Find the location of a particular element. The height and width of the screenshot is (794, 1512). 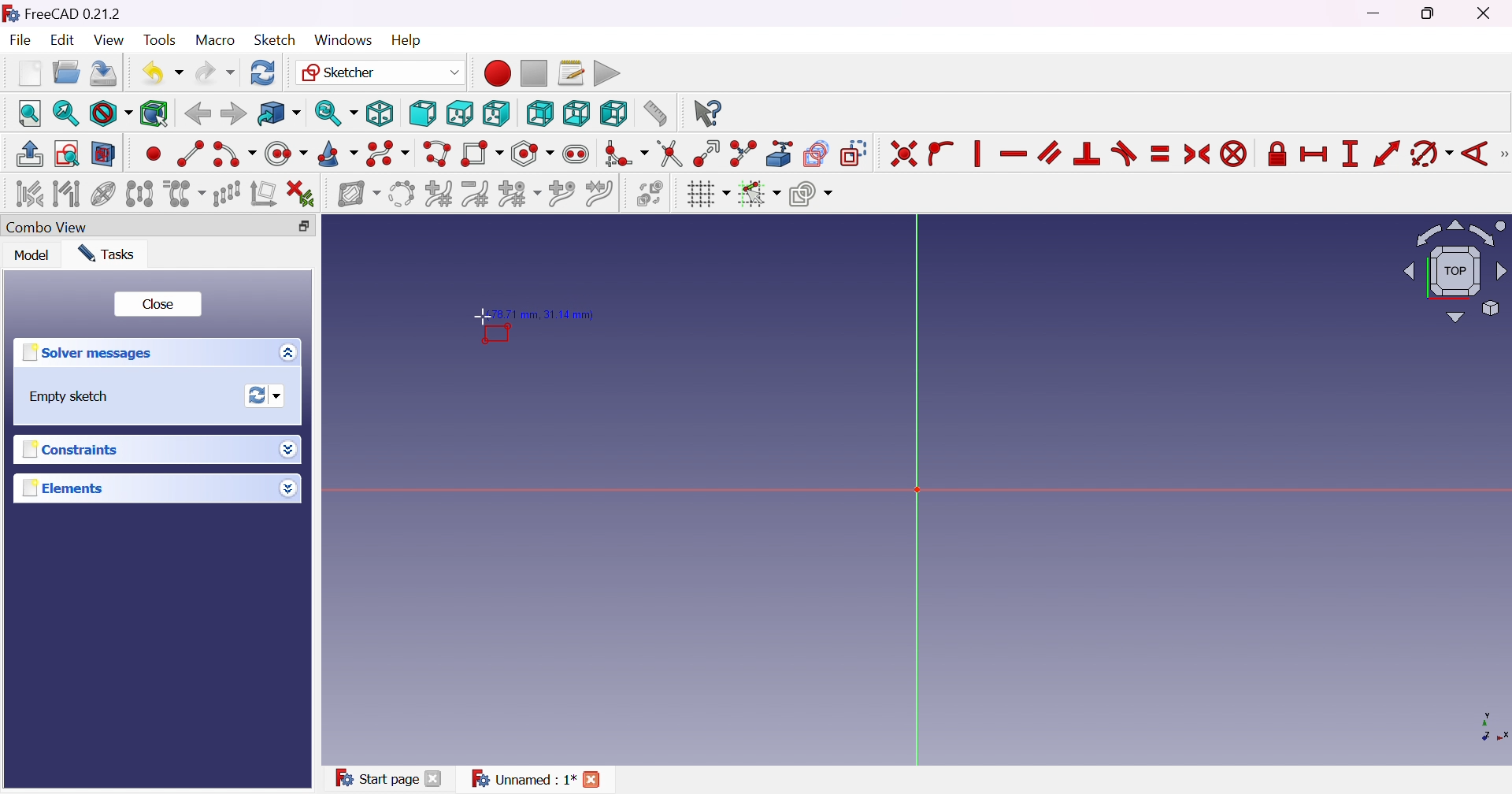

Constrain arc or circle is located at coordinates (1431, 155).